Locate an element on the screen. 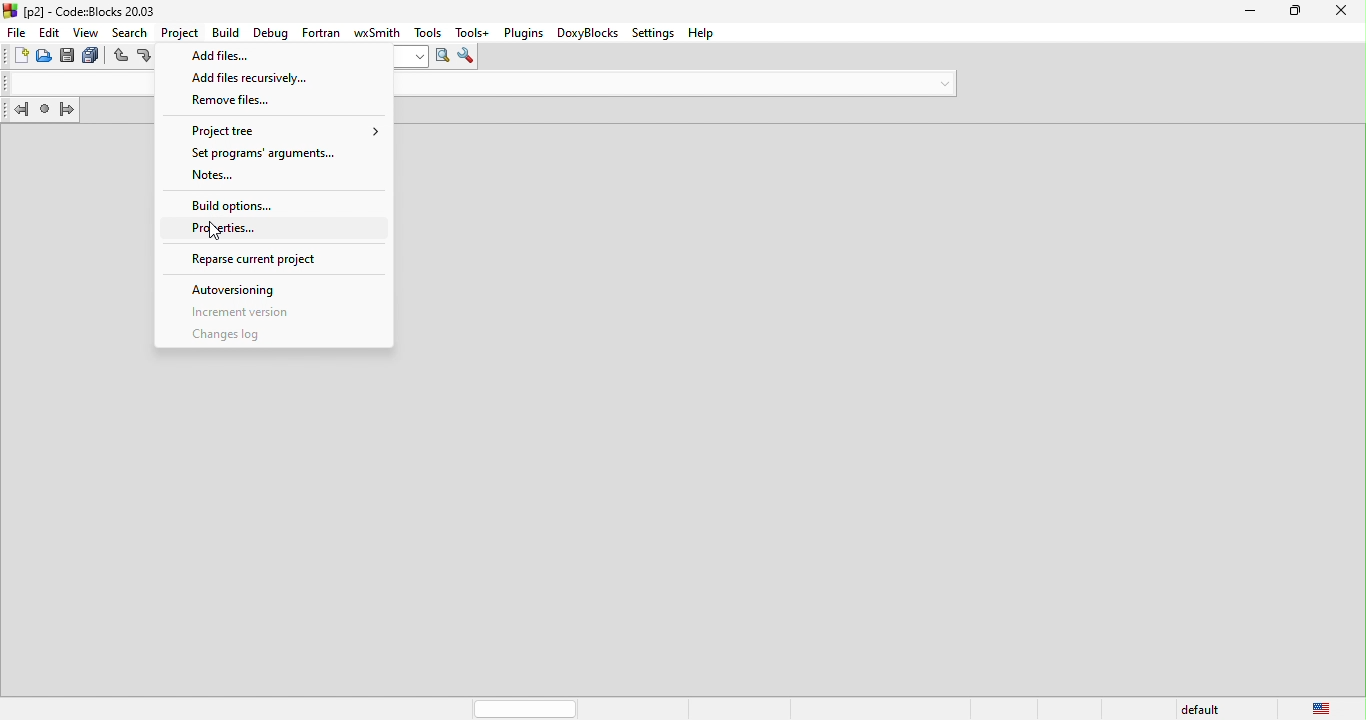  autoversioning is located at coordinates (248, 291).